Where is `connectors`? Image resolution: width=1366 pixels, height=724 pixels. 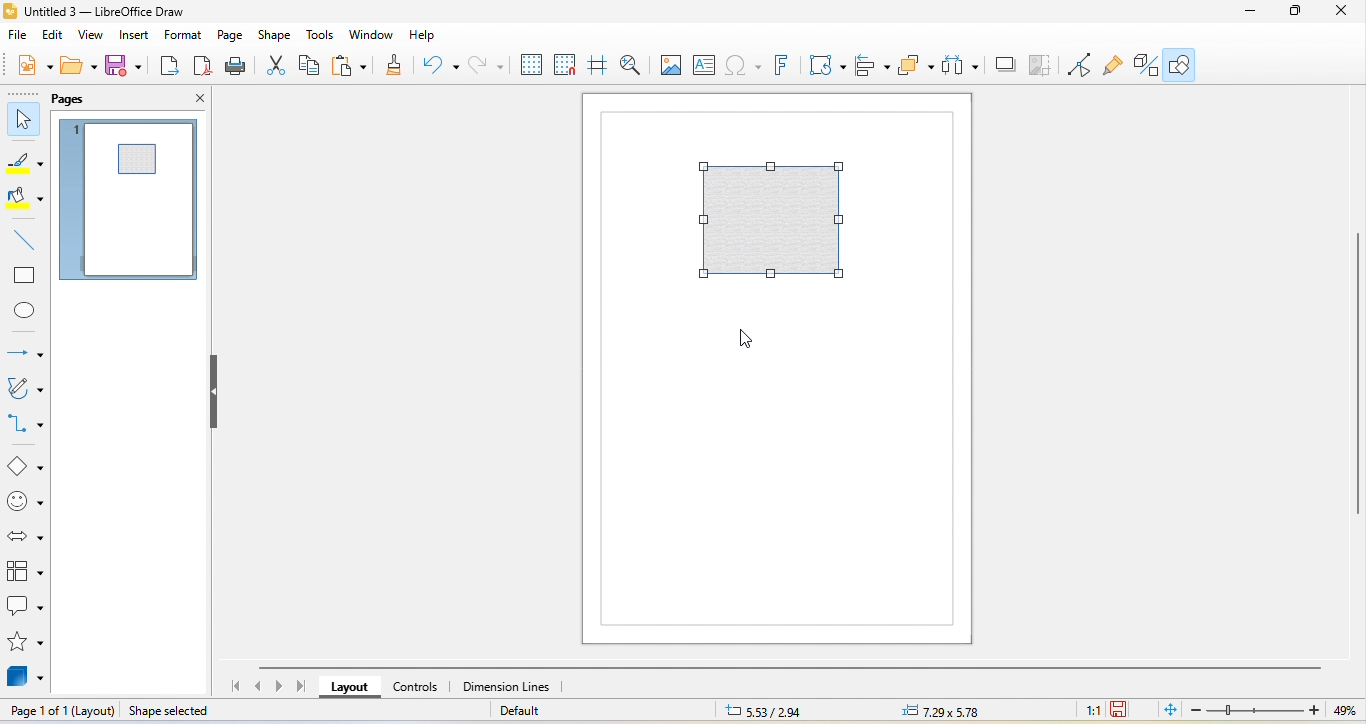 connectors is located at coordinates (26, 424).